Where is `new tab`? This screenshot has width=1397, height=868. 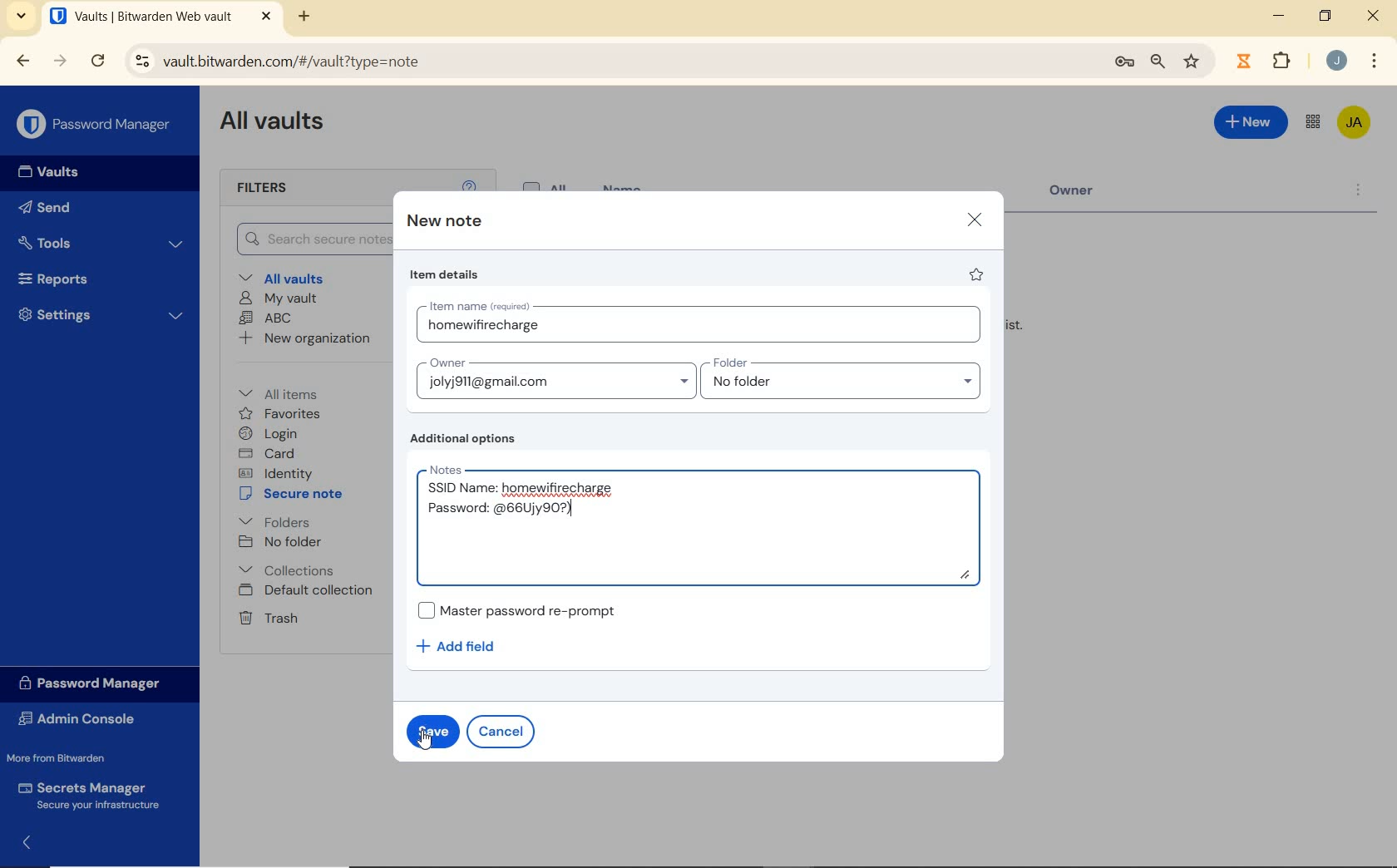
new tab is located at coordinates (306, 18).